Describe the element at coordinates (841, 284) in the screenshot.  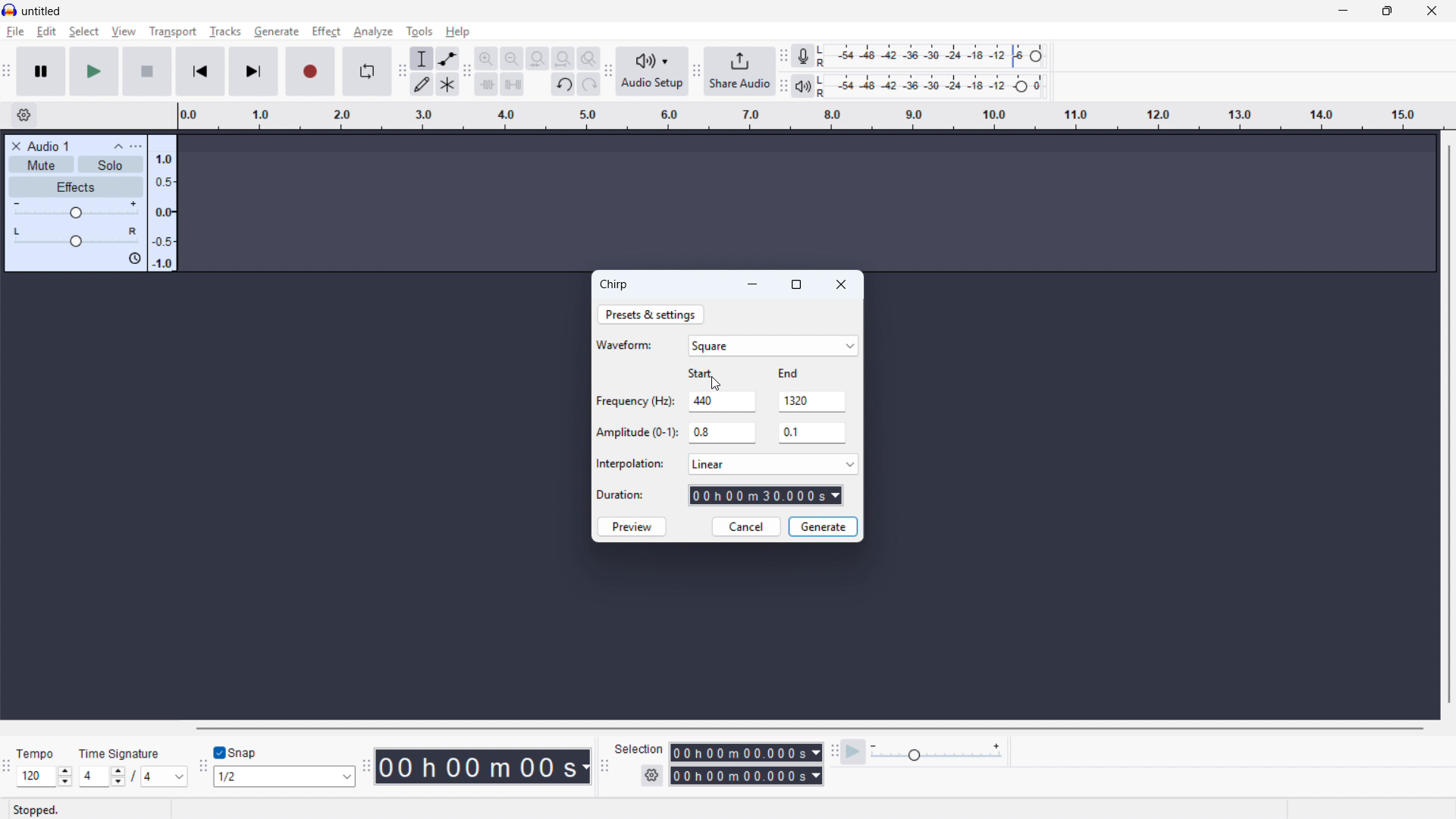
I see `Close ` at that location.